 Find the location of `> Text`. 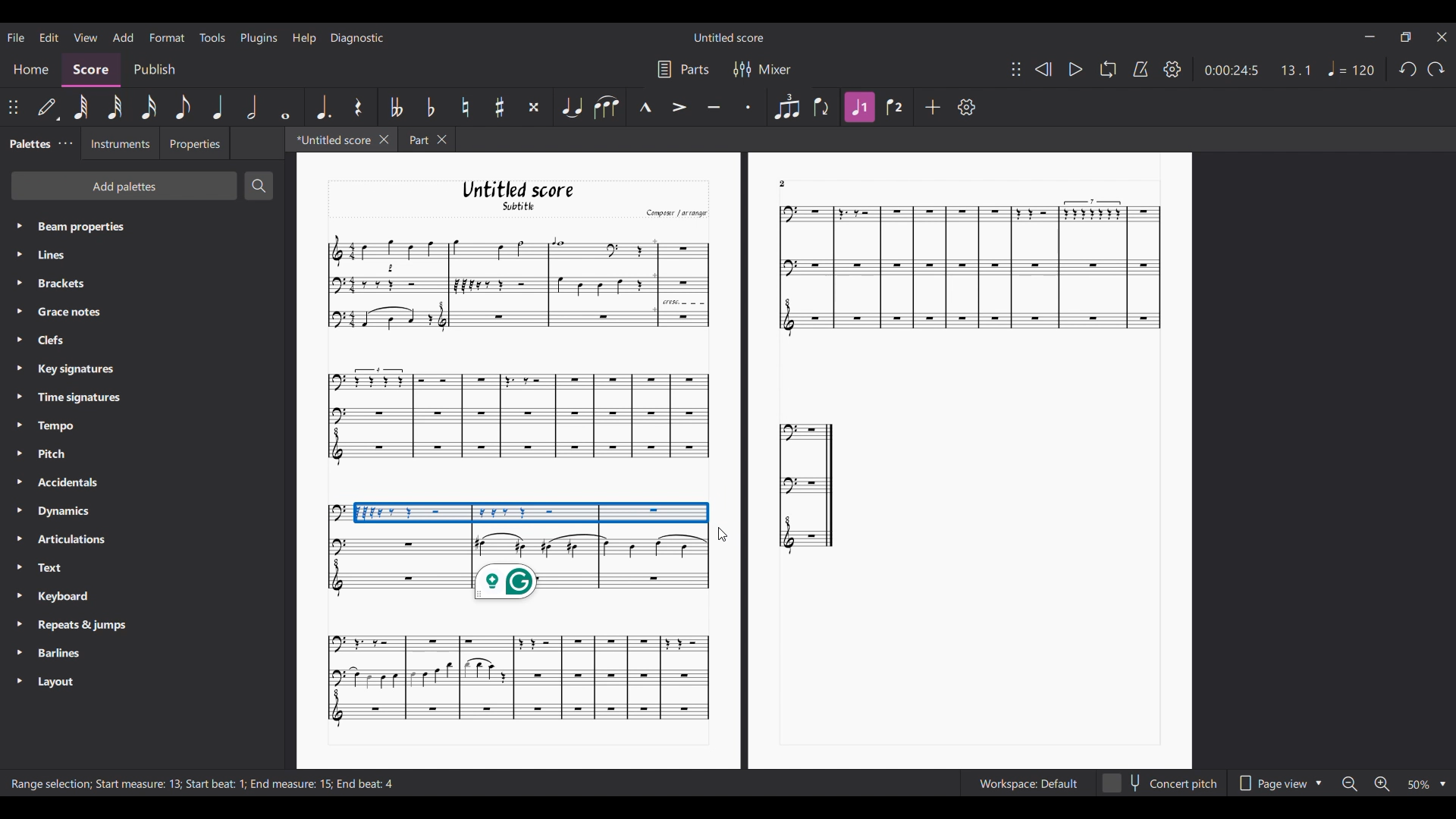

> Text is located at coordinates (49, 572).